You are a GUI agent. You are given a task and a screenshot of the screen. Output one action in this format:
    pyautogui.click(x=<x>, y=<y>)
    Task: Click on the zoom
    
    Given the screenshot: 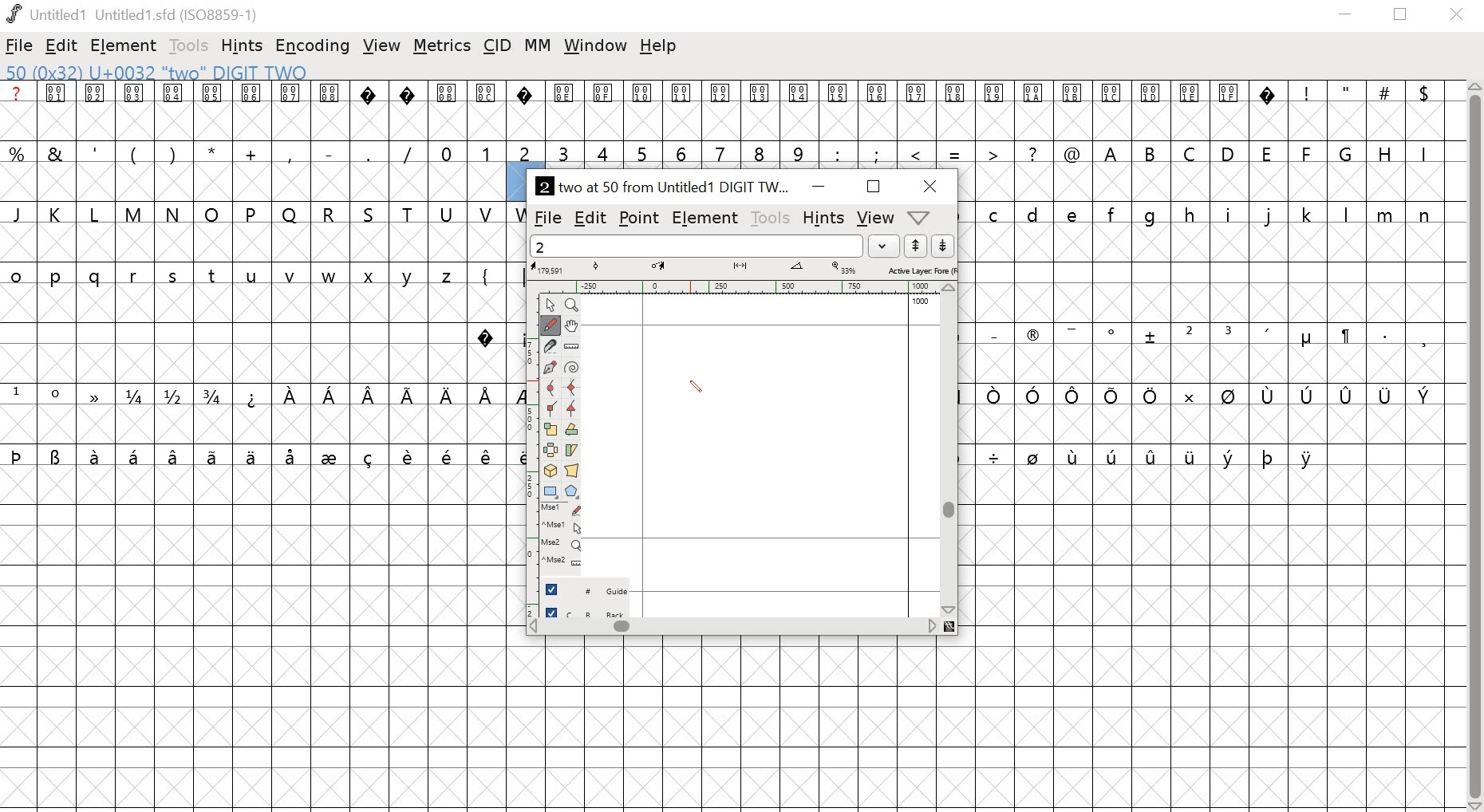 What is the action you would take?
    pyautogui.click(x=574, y=305)
    